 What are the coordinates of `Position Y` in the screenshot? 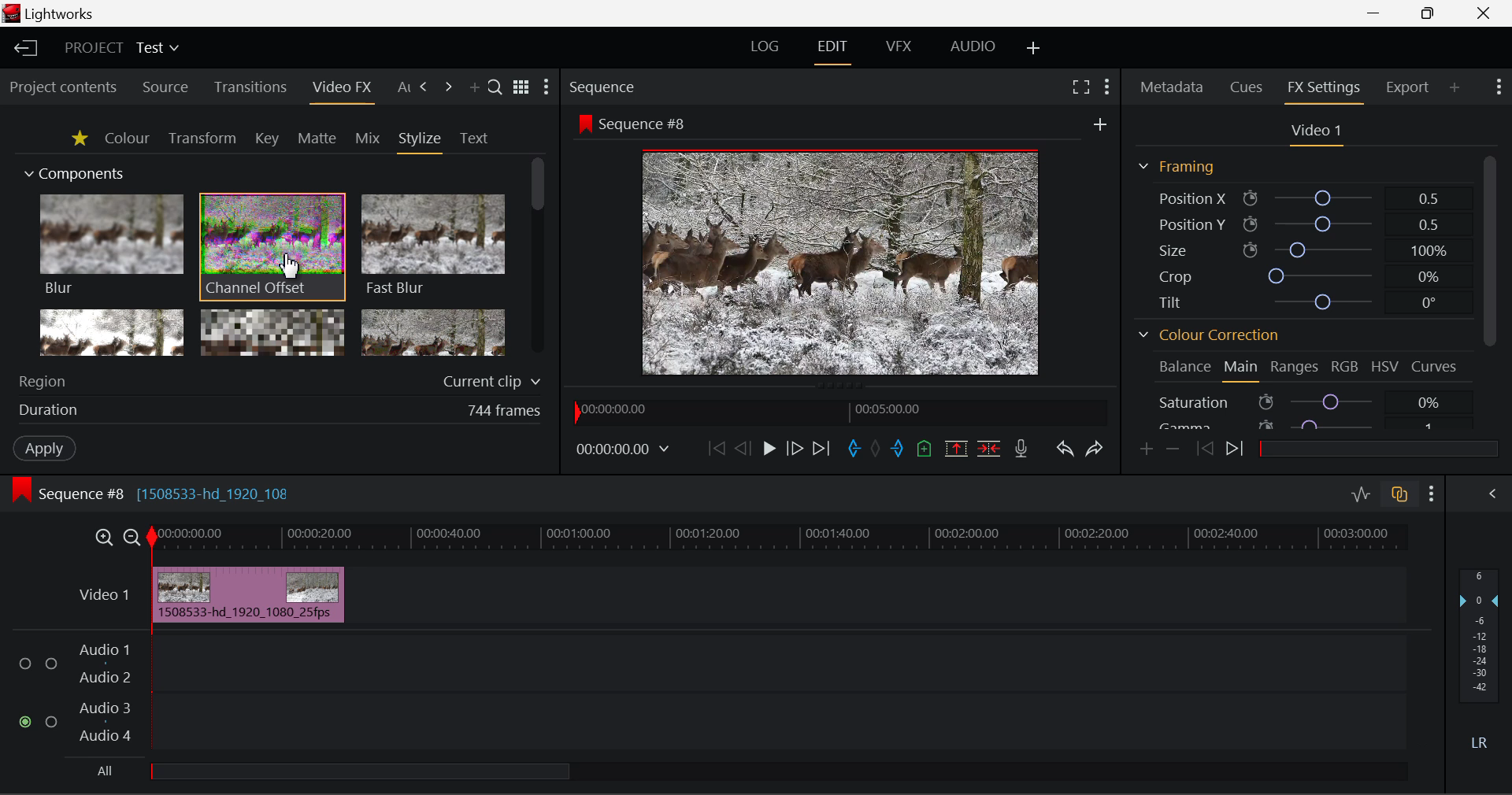 It's located at (1298, 224).